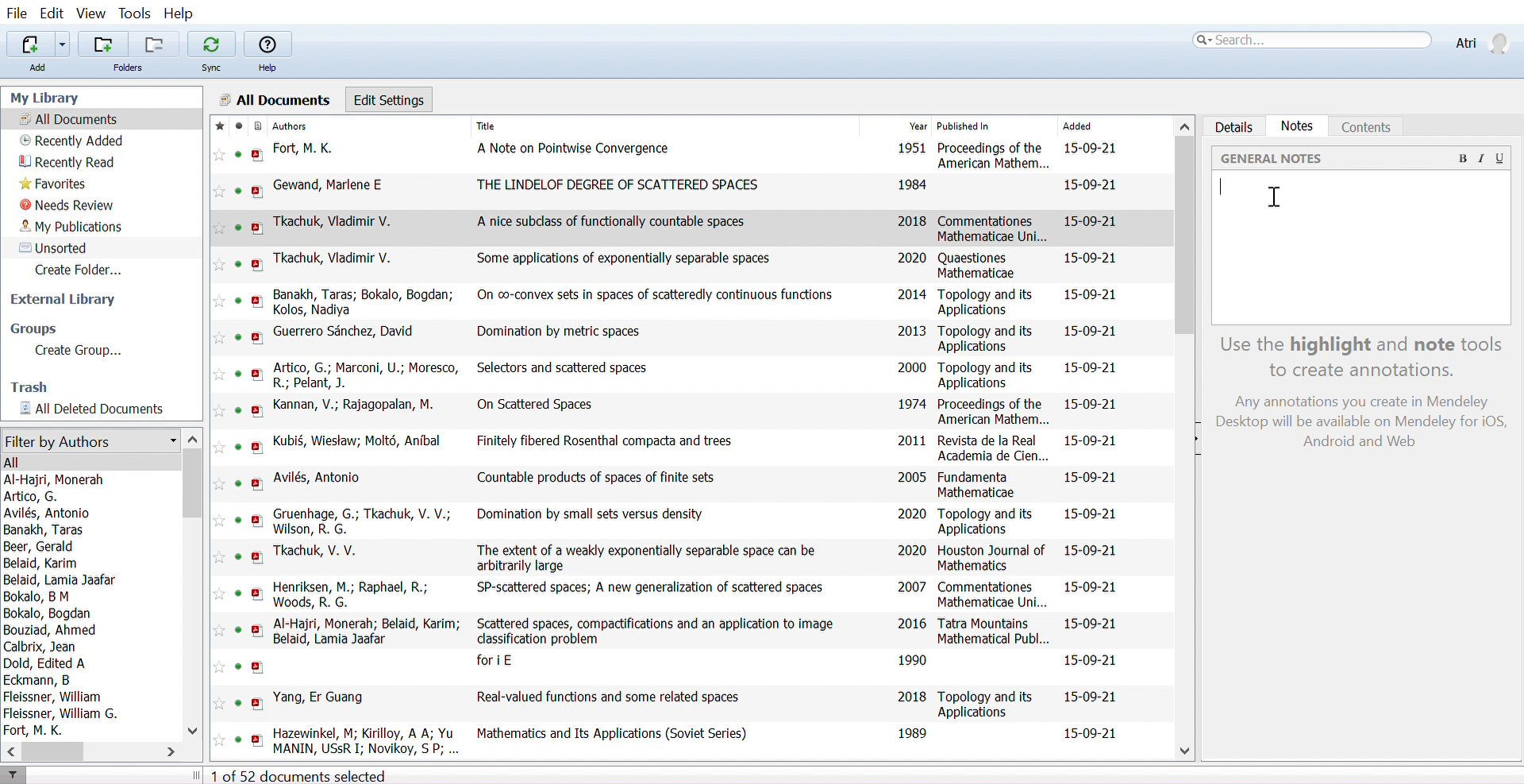 The height and width of the screenshot is (784, 1524). Describe the element at coordinates (606, 441) in the screenshot. I see `Finitely fibered Rosenthal compacta and trees` at that location.